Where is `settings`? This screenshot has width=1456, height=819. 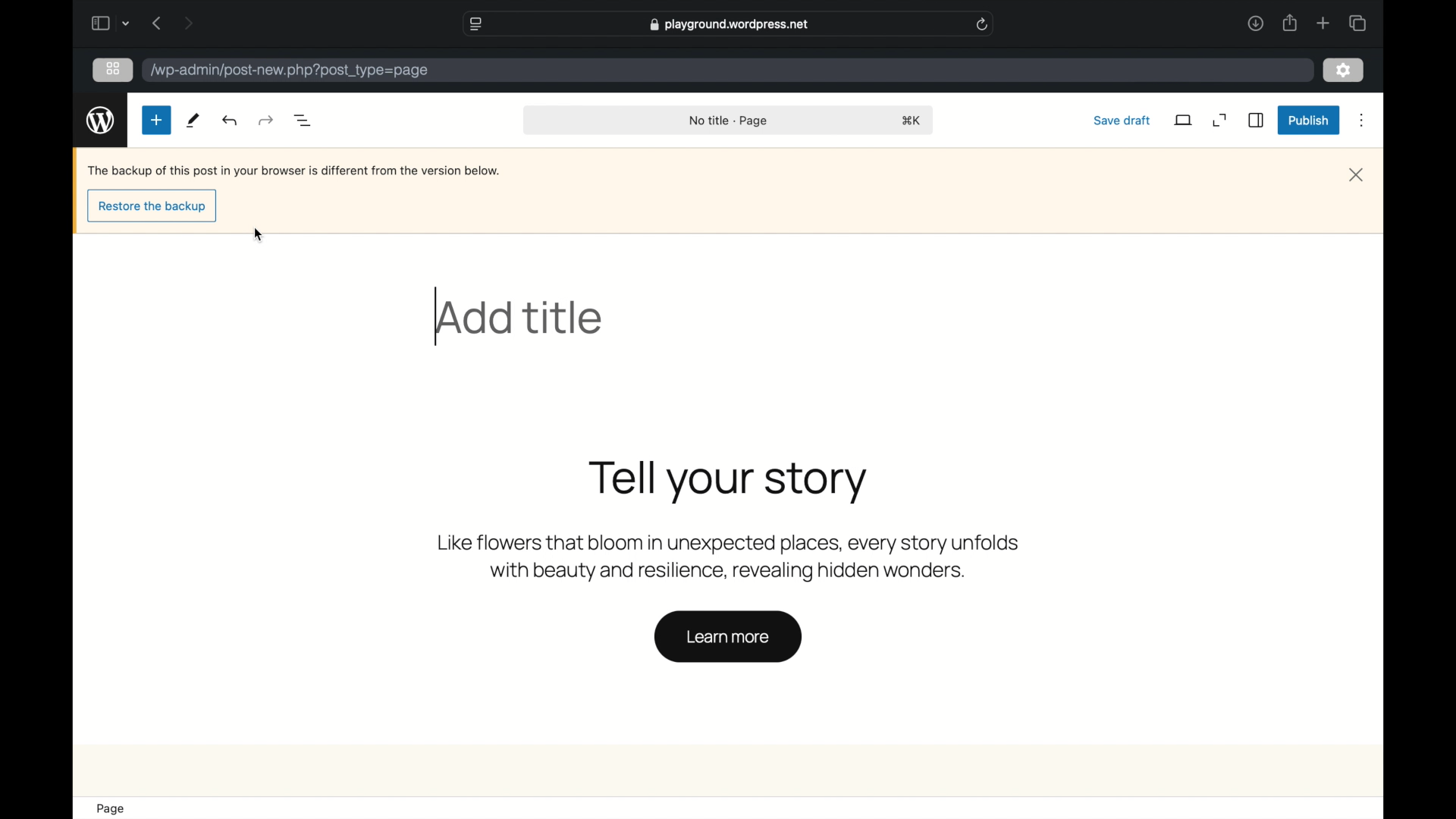
settings is located at coordinates (1343, 70).